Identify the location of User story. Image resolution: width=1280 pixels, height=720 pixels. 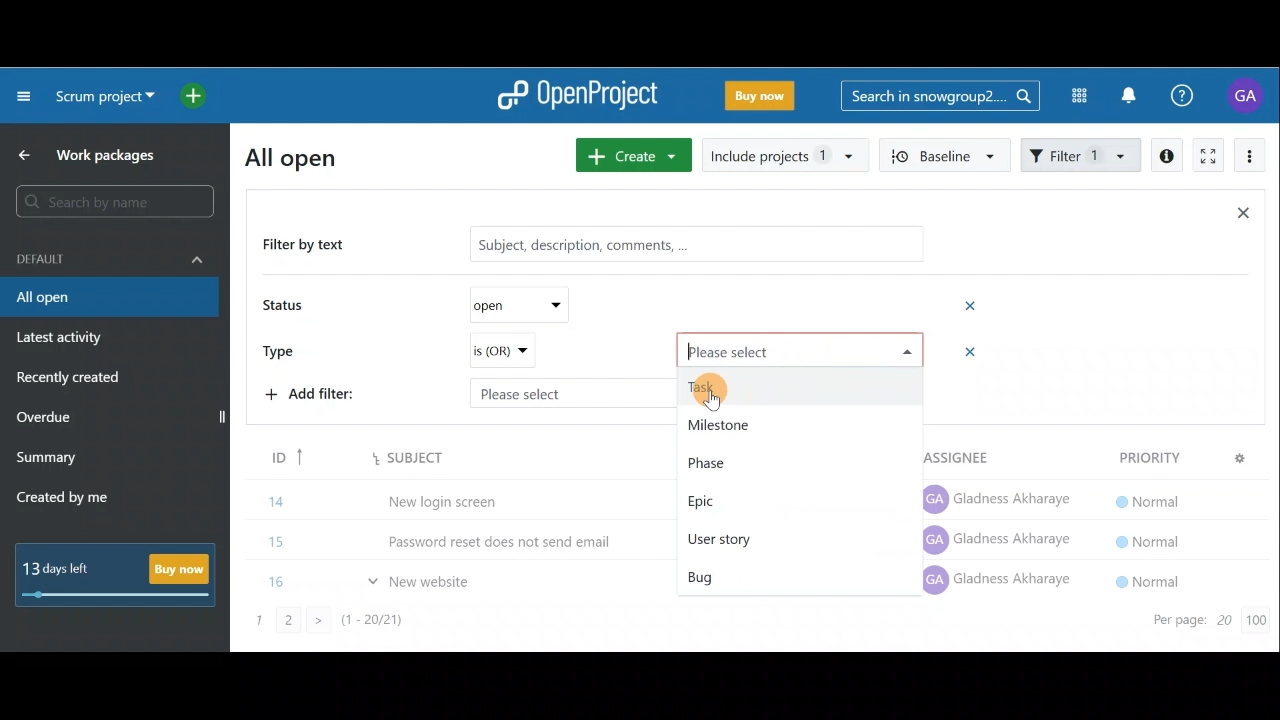
(779, 538).